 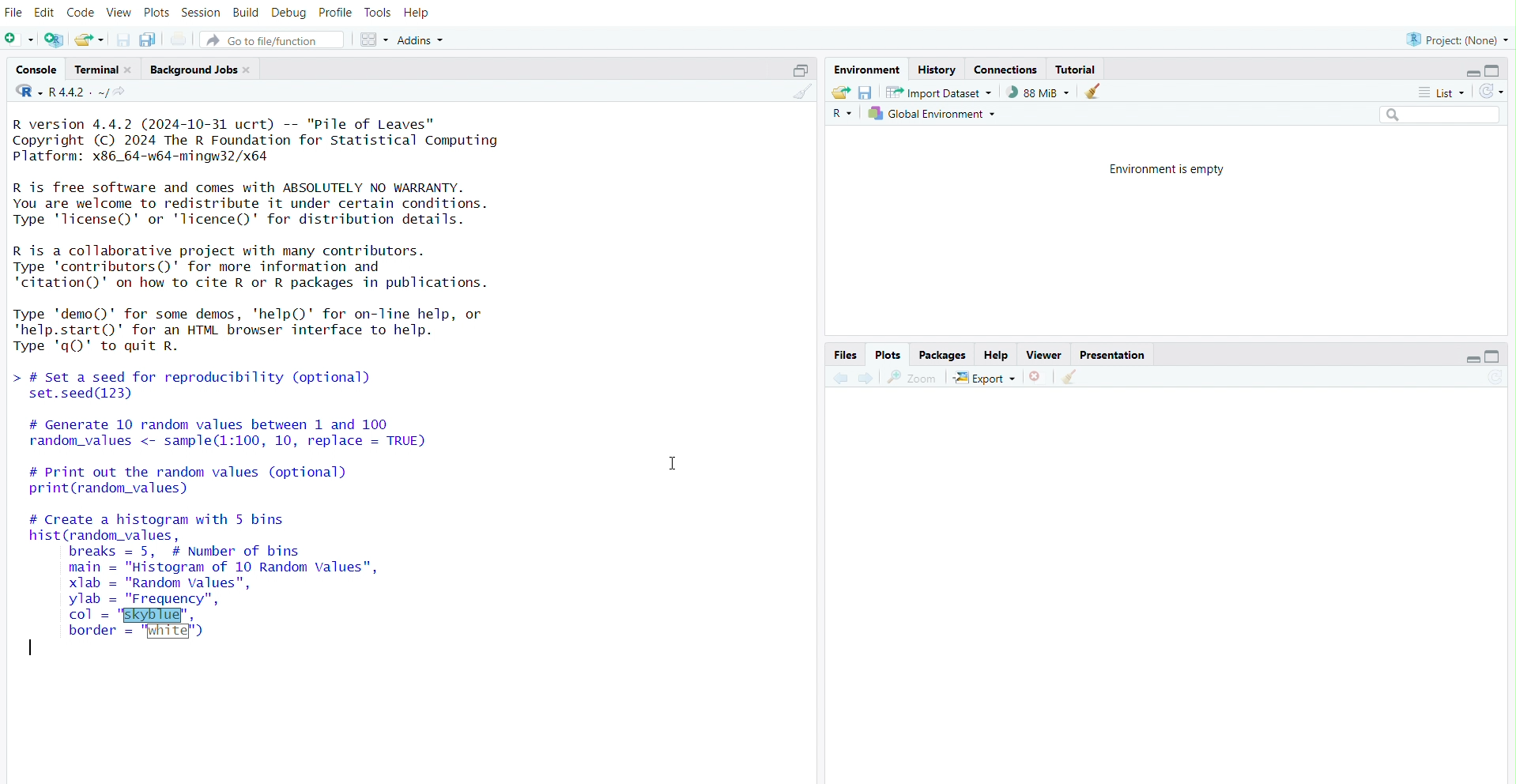 I want to click on Details of R and its license, so click(x=289, y=203).